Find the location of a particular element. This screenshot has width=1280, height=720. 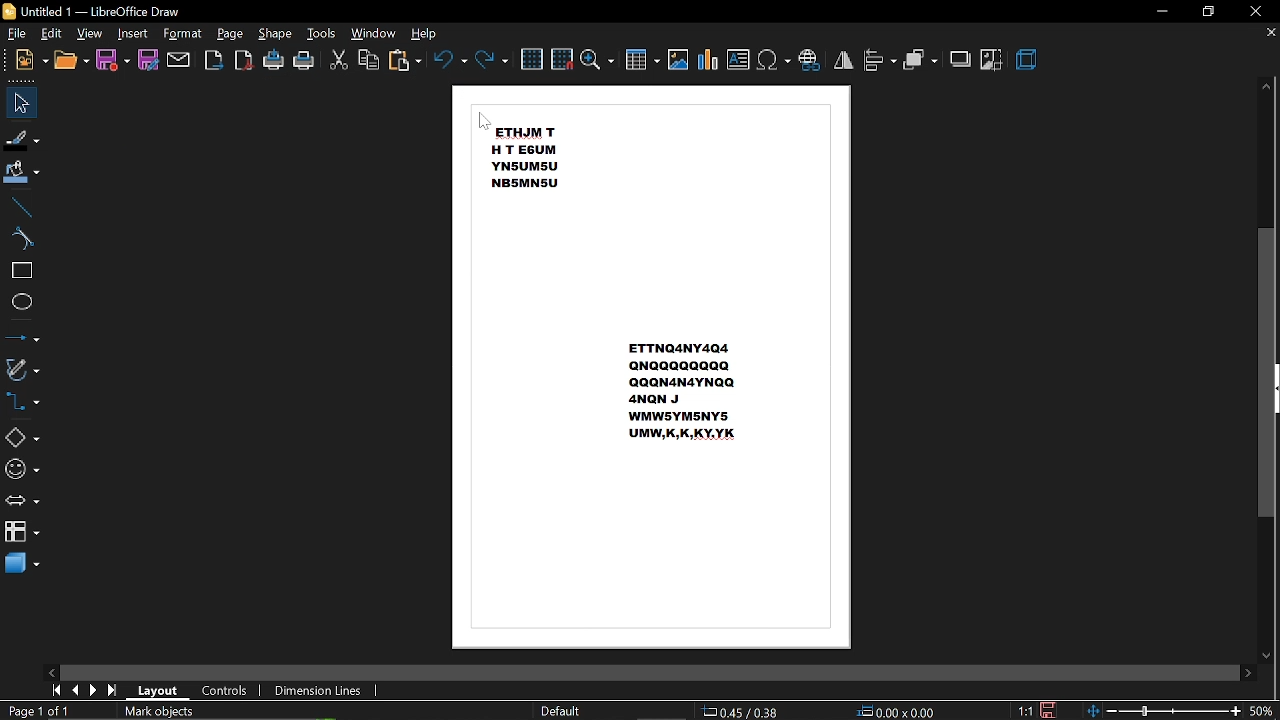

close is located at coordinates (1258, 11).